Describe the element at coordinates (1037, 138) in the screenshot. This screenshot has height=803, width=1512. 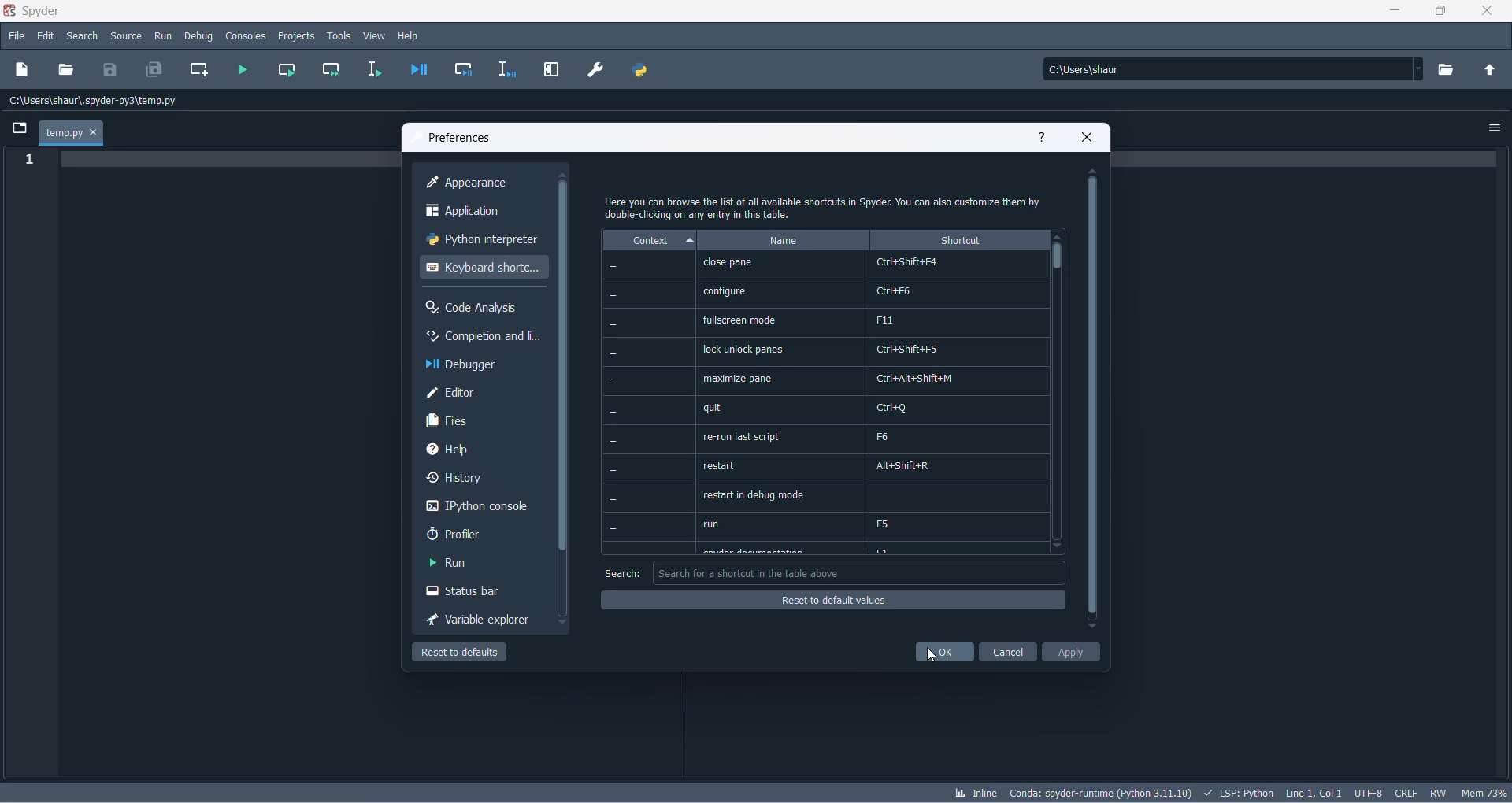
I see `help` at that location.